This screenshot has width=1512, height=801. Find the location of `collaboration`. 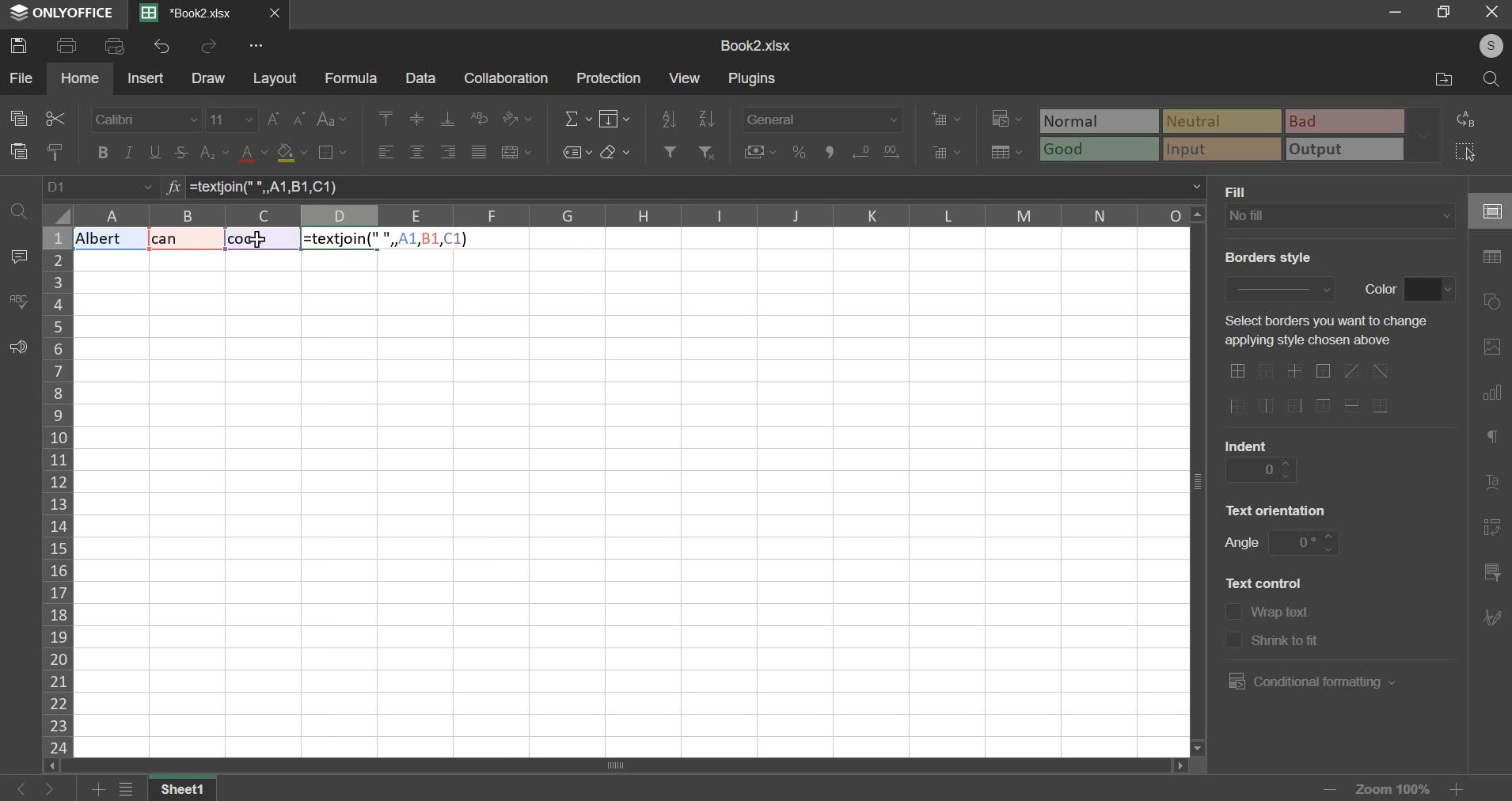

collaboration is located at coordinates (507, 79).